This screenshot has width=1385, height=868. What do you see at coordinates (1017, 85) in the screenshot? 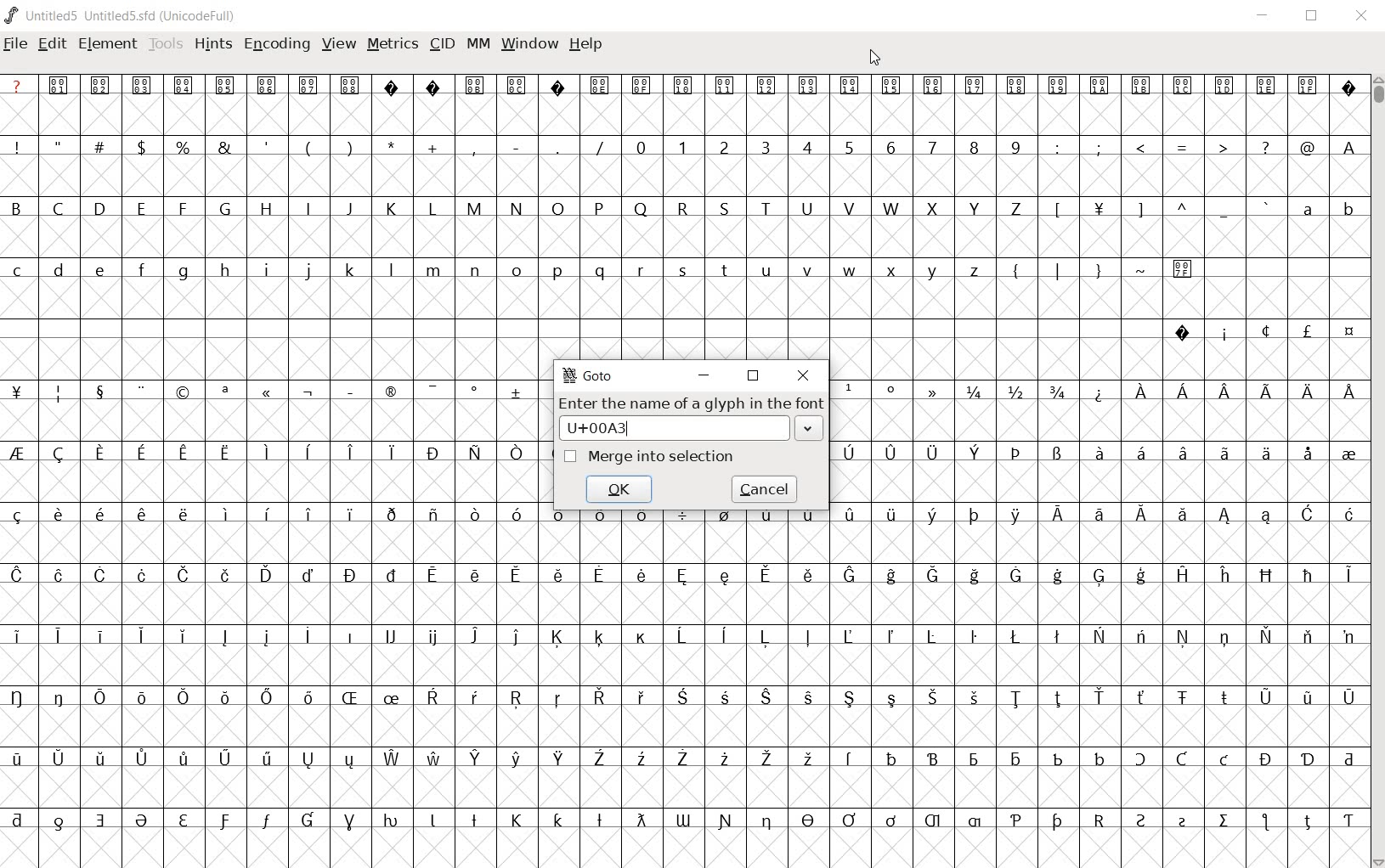
I see `Symbol` at bounding box center [1017, 85].